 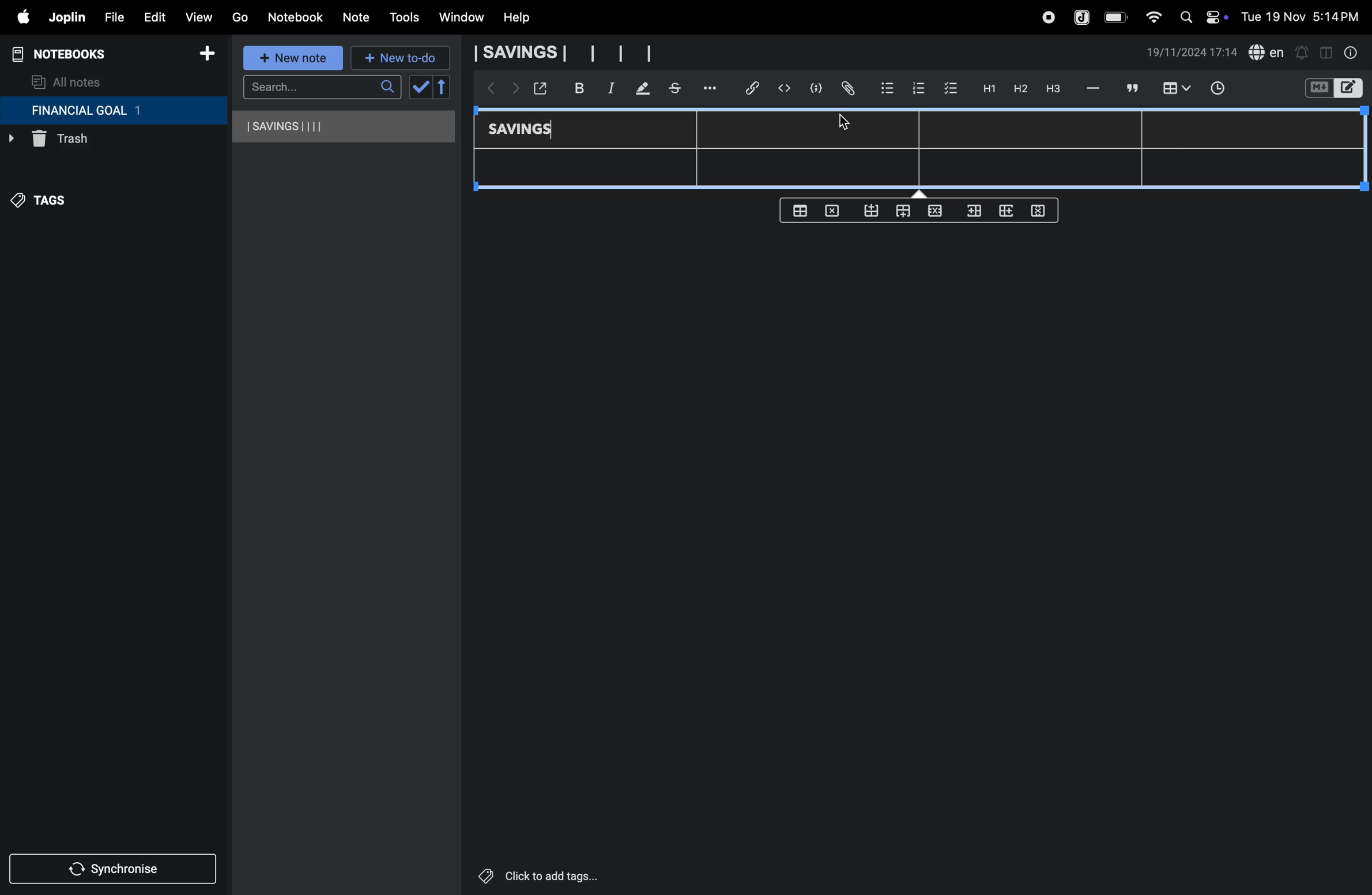 What do you see at coordinates (1004, 214) in the screenshot?
I see `add rows` at bounding box center [1004, 214].